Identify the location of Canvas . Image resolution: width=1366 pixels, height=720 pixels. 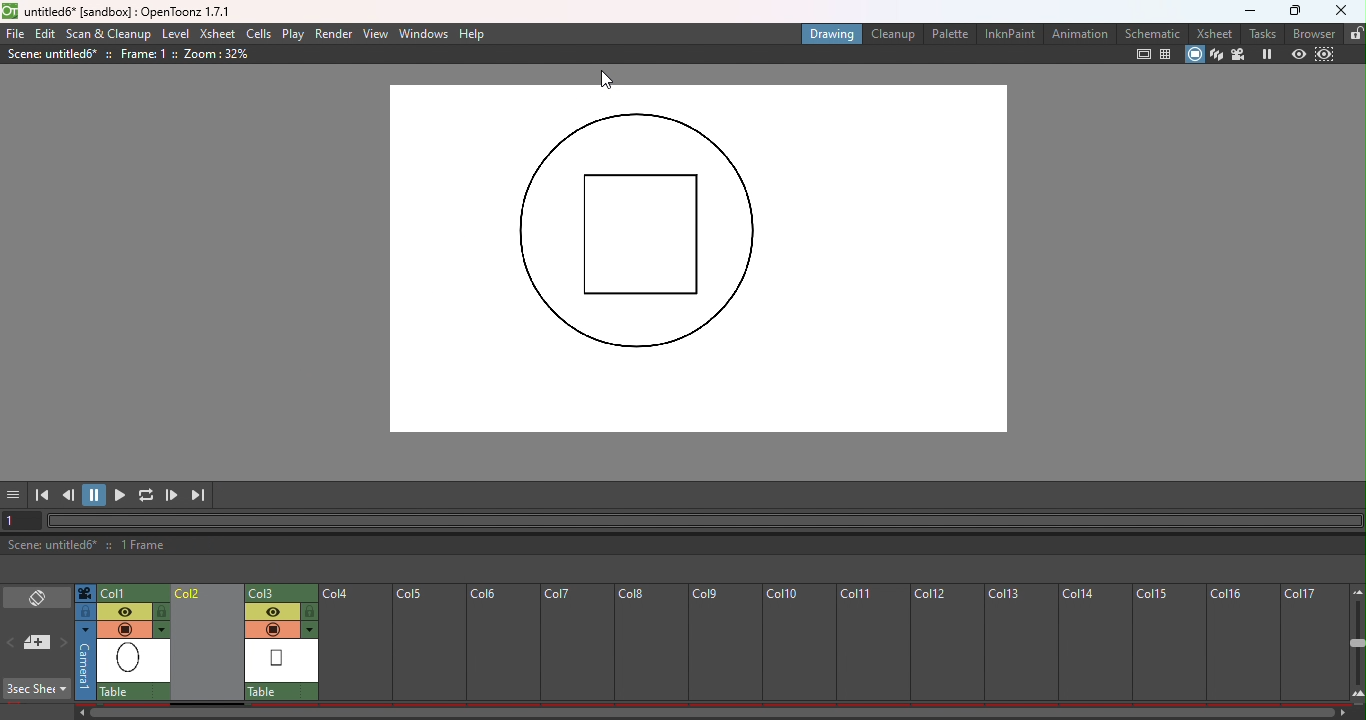
(694, 261).